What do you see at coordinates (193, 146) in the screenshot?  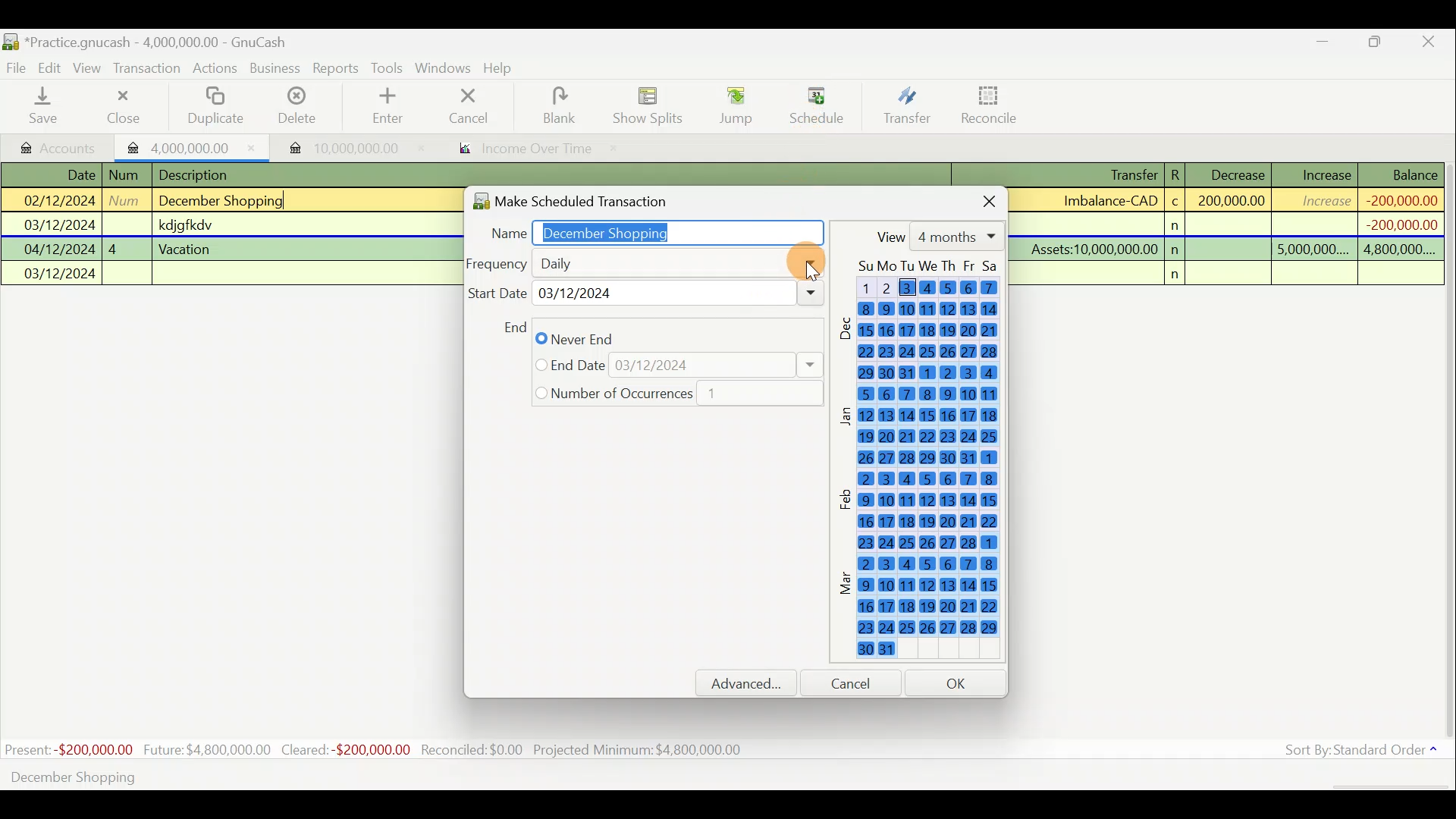 I see `Imported transaction 1` at bounding box center [193, 146].